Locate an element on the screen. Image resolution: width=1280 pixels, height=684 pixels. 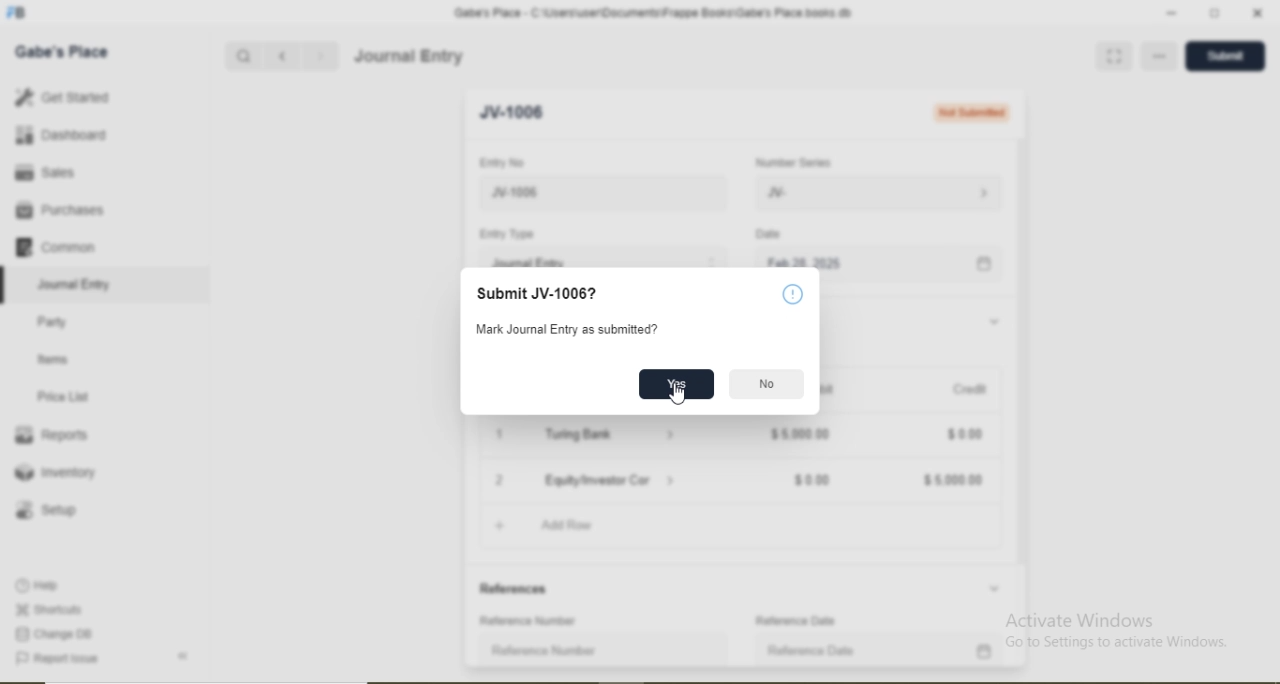
Reference Date is located at coordinates (812, 650).